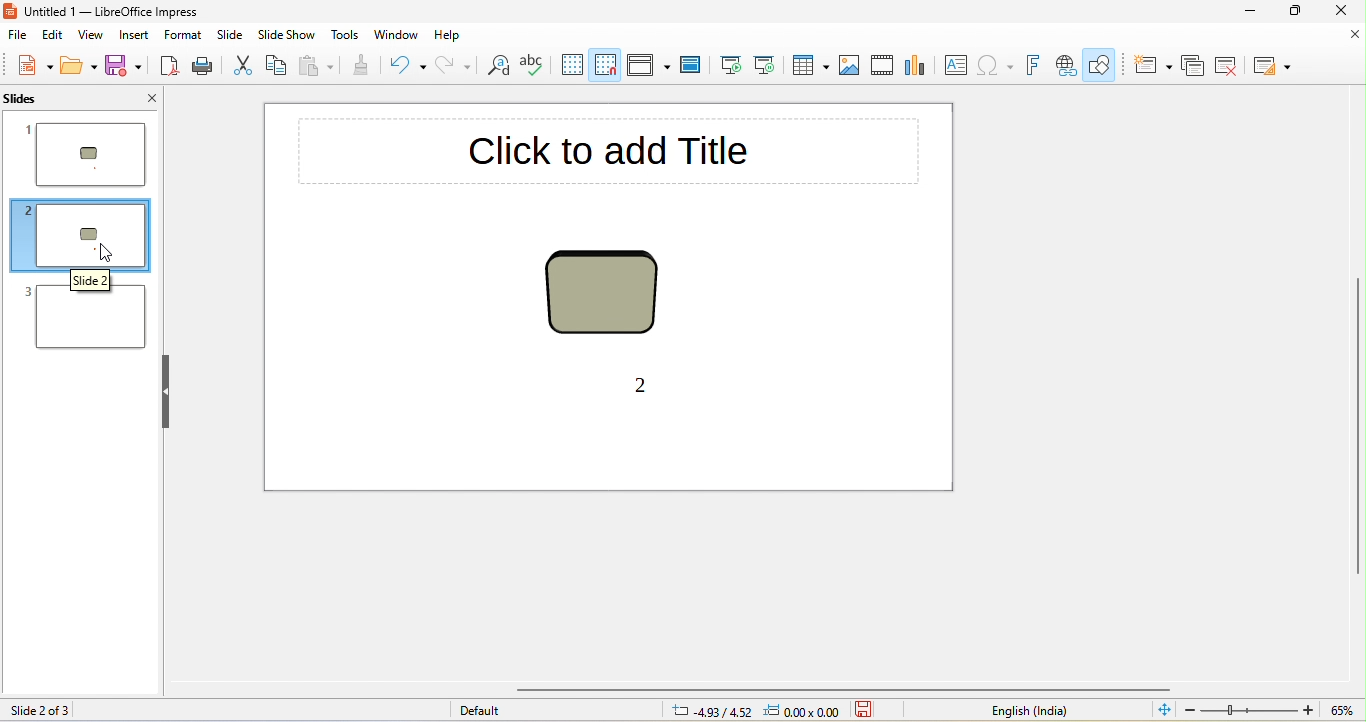 The width and height of the screenshot is (1366, 722). I want to click on edit, so click(54, 35).